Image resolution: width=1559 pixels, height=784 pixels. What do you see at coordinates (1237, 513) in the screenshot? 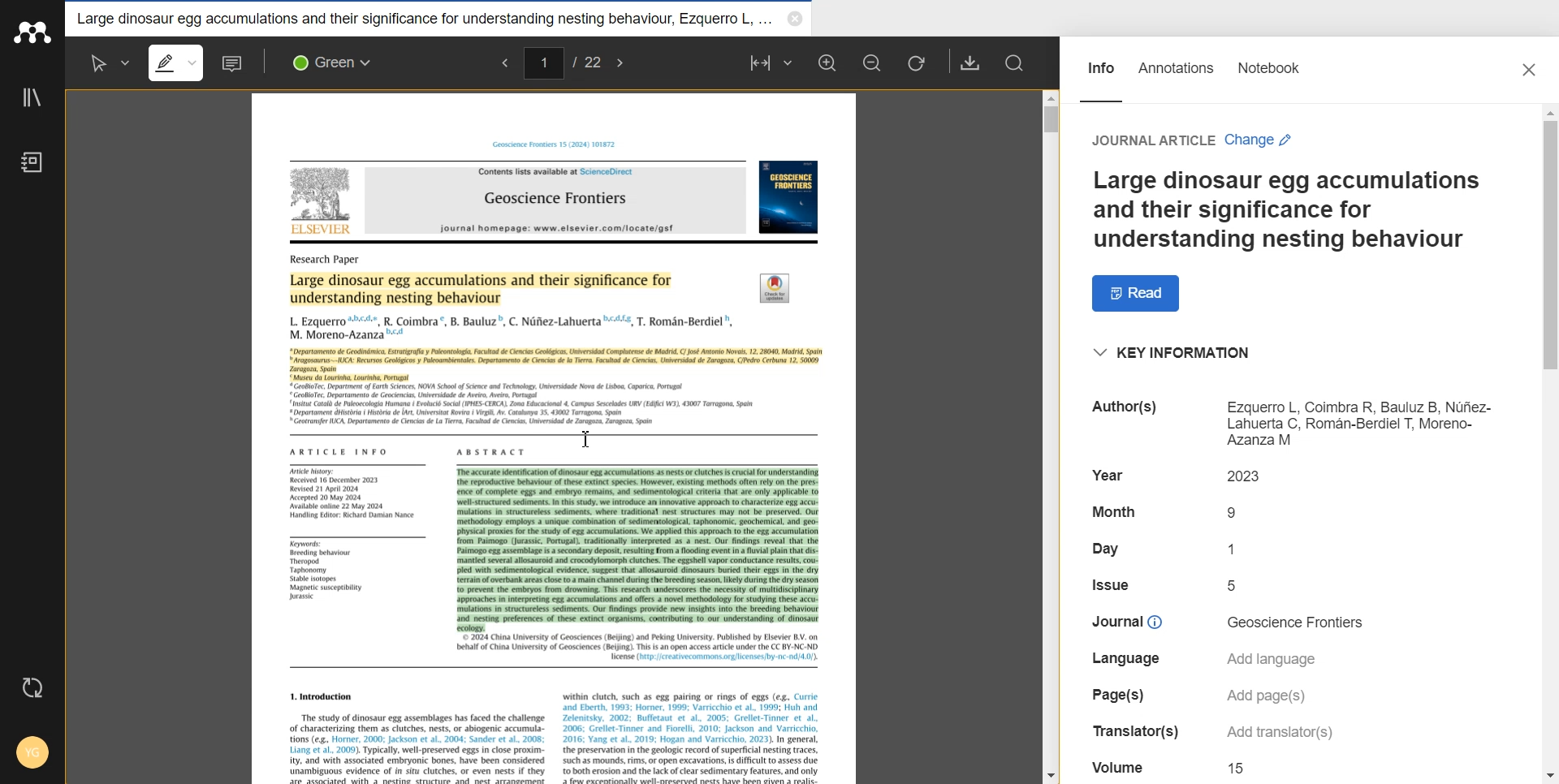
I see `text` at bounding box center [1237, 513].